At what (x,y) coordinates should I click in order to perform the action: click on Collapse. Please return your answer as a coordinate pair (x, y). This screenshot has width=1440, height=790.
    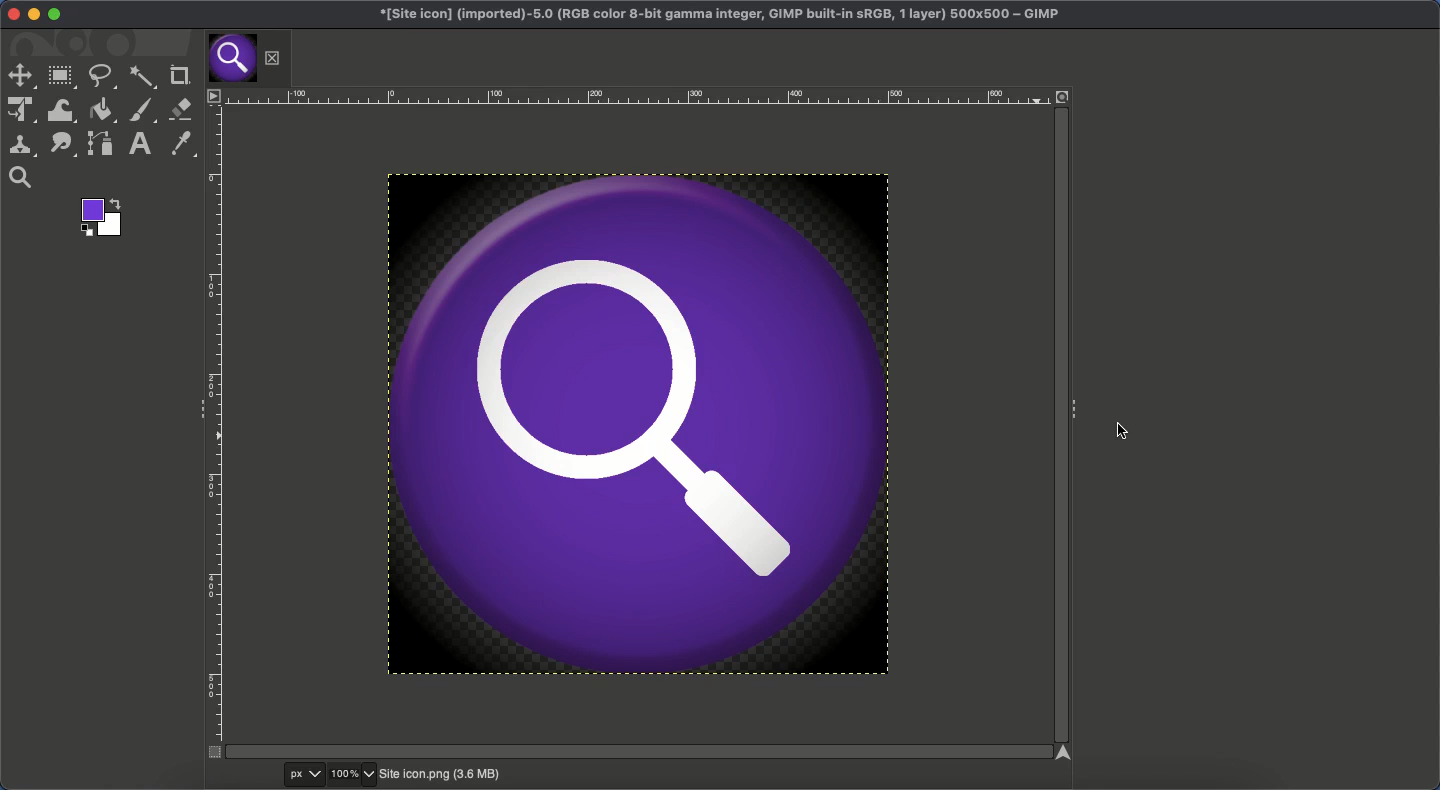
    Looking at the image, I should click on (196, 407).